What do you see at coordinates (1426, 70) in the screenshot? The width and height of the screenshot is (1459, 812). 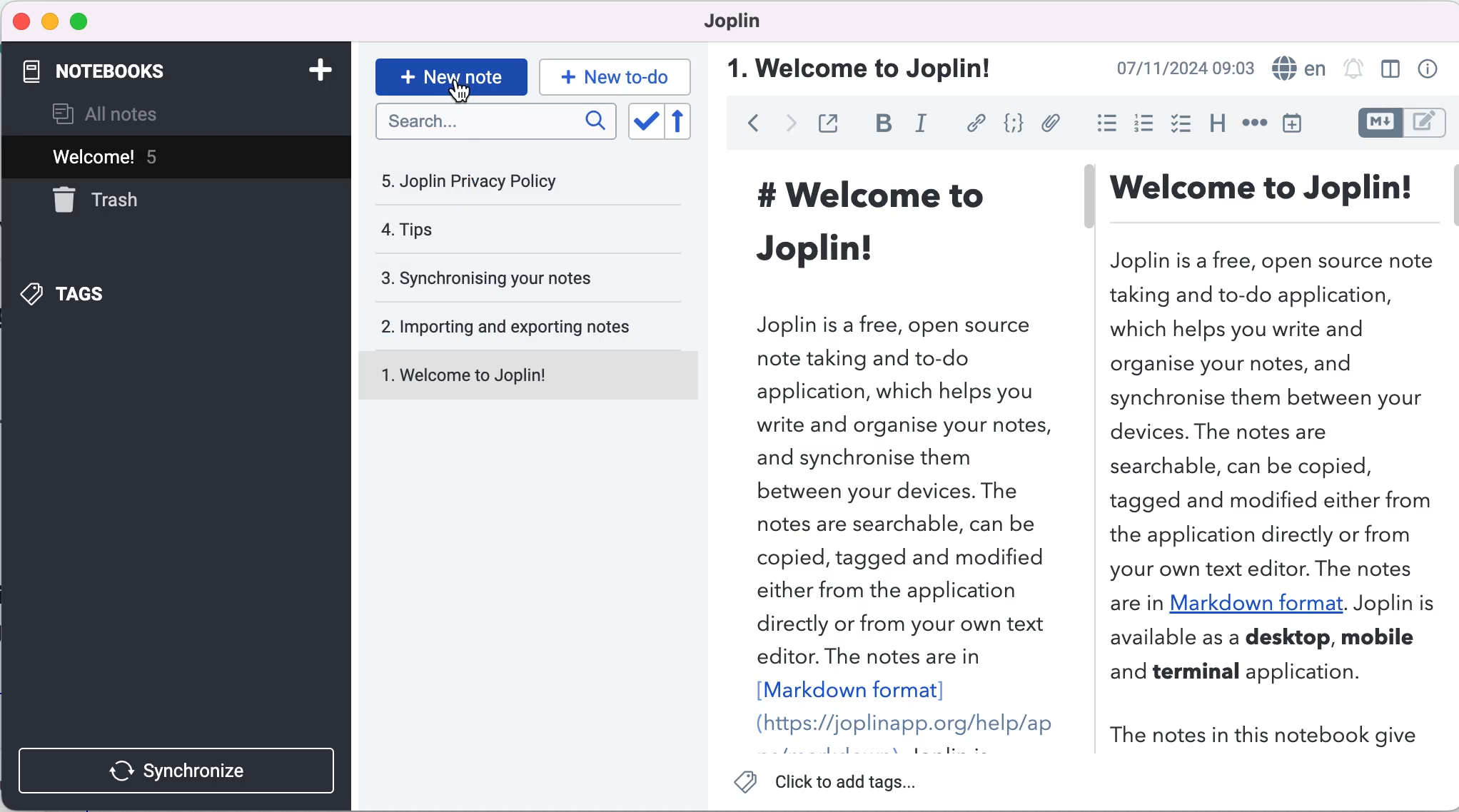 I see `note properties` at bounding box center [1426, 70].